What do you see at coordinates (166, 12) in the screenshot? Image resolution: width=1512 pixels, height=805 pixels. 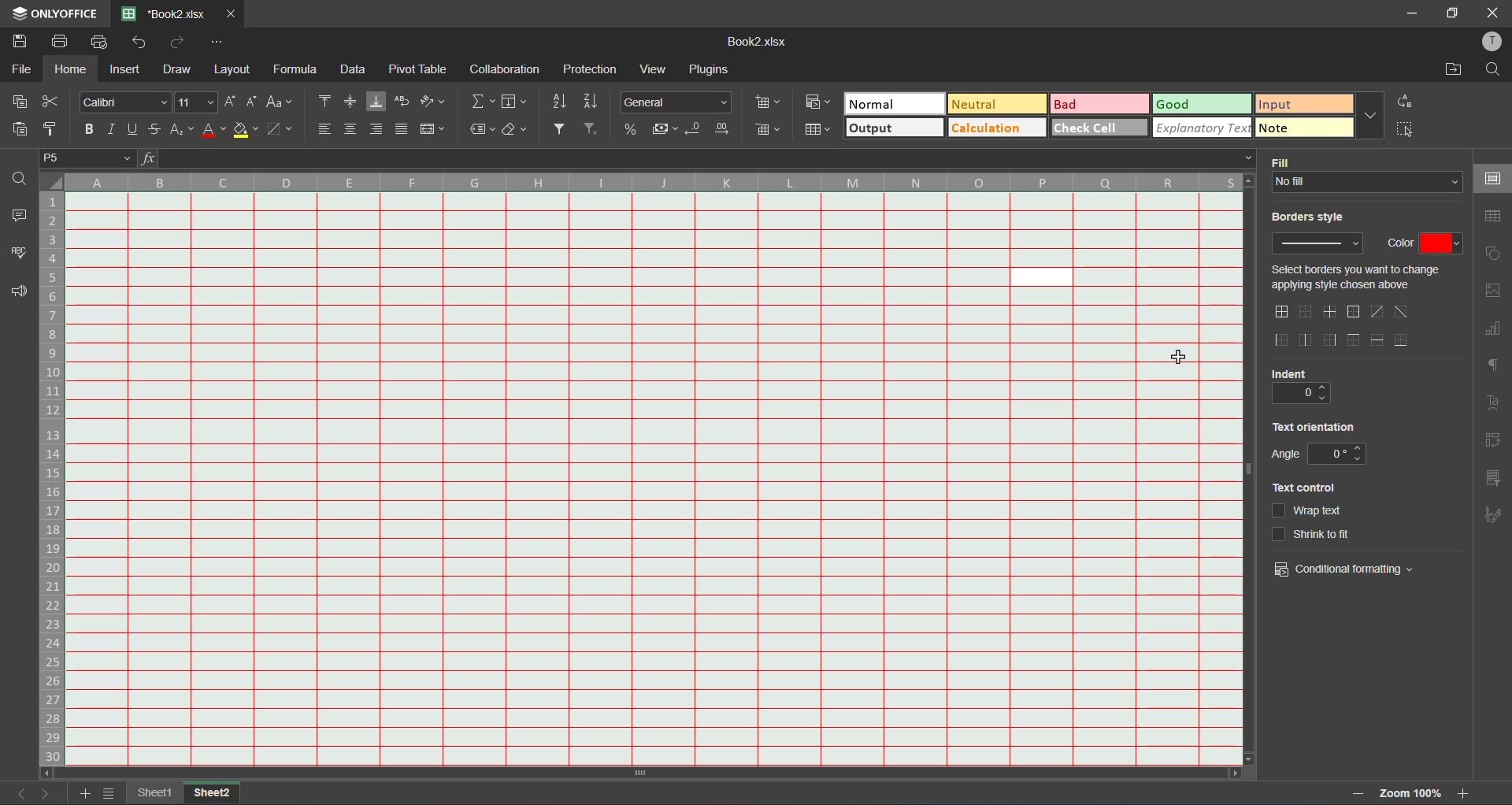 I see `*Book2.xlsx` at bounding box center [166, 12].